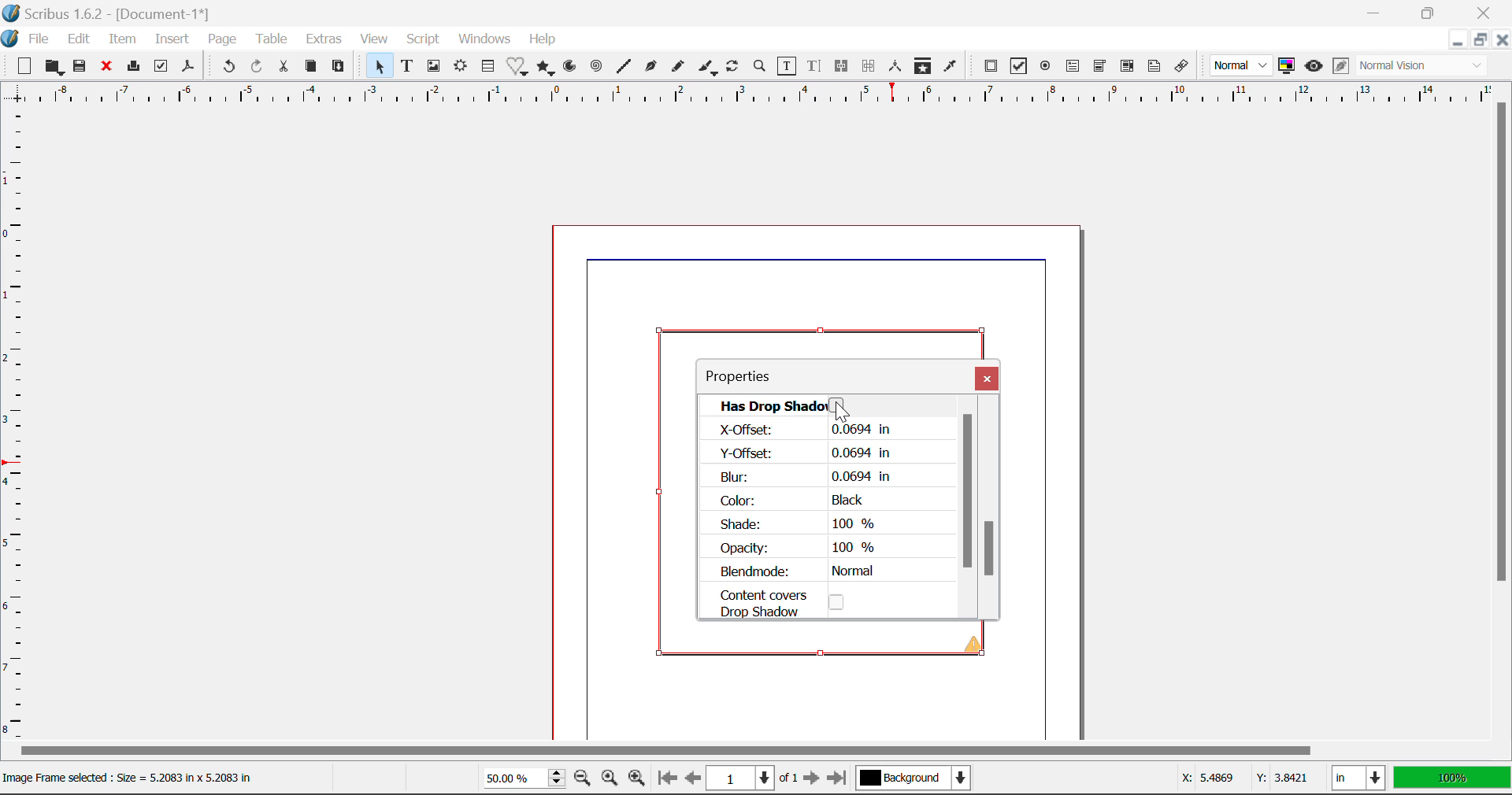 This screenshot has width=1512, height=795. What do you see at coordinates (1126, 68) in the screenshot?
I see `Pdf List box` at bounding box center [1126, 68].